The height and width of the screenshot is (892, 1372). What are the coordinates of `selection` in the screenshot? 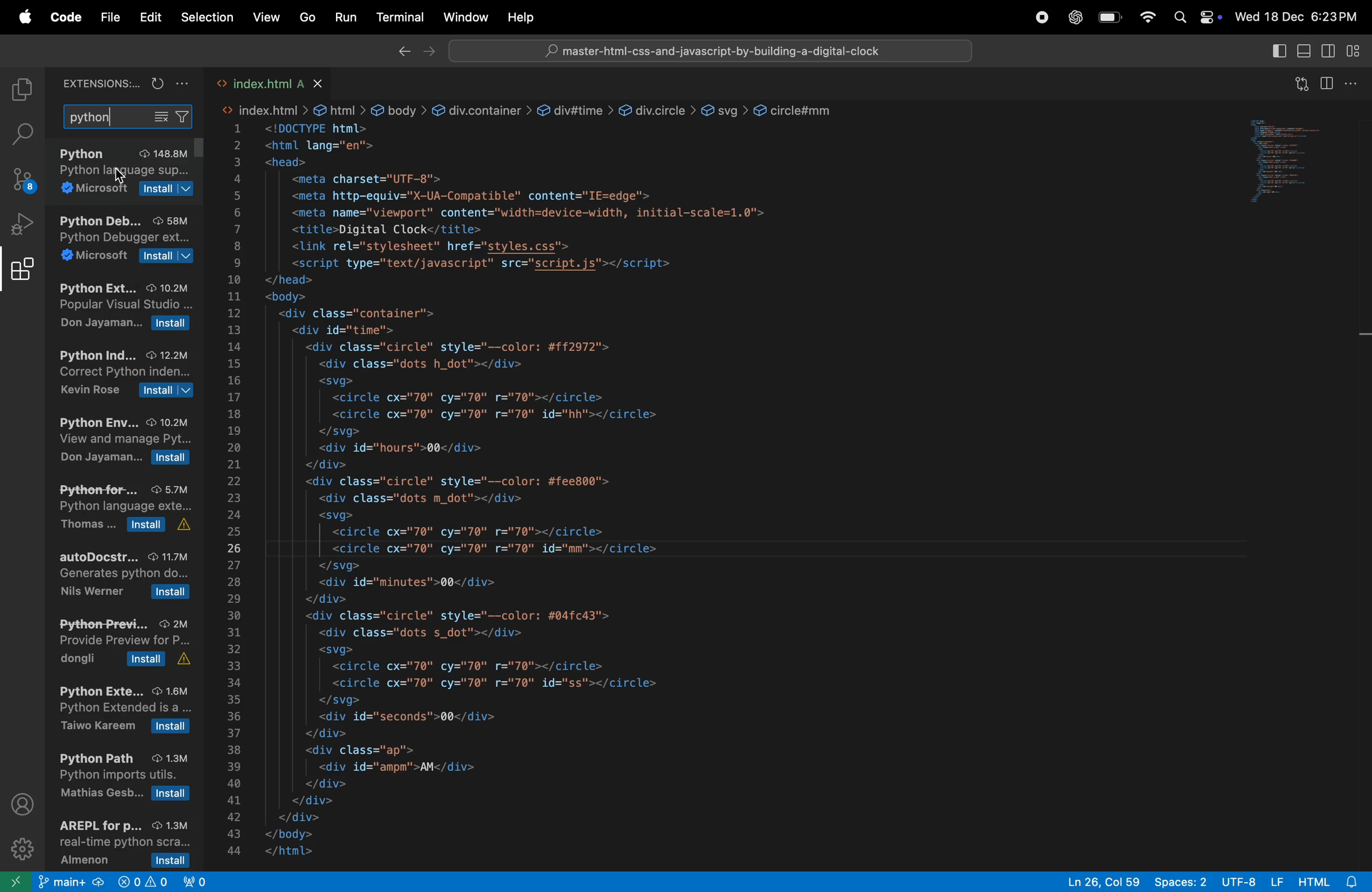 It's located at (207, 20).